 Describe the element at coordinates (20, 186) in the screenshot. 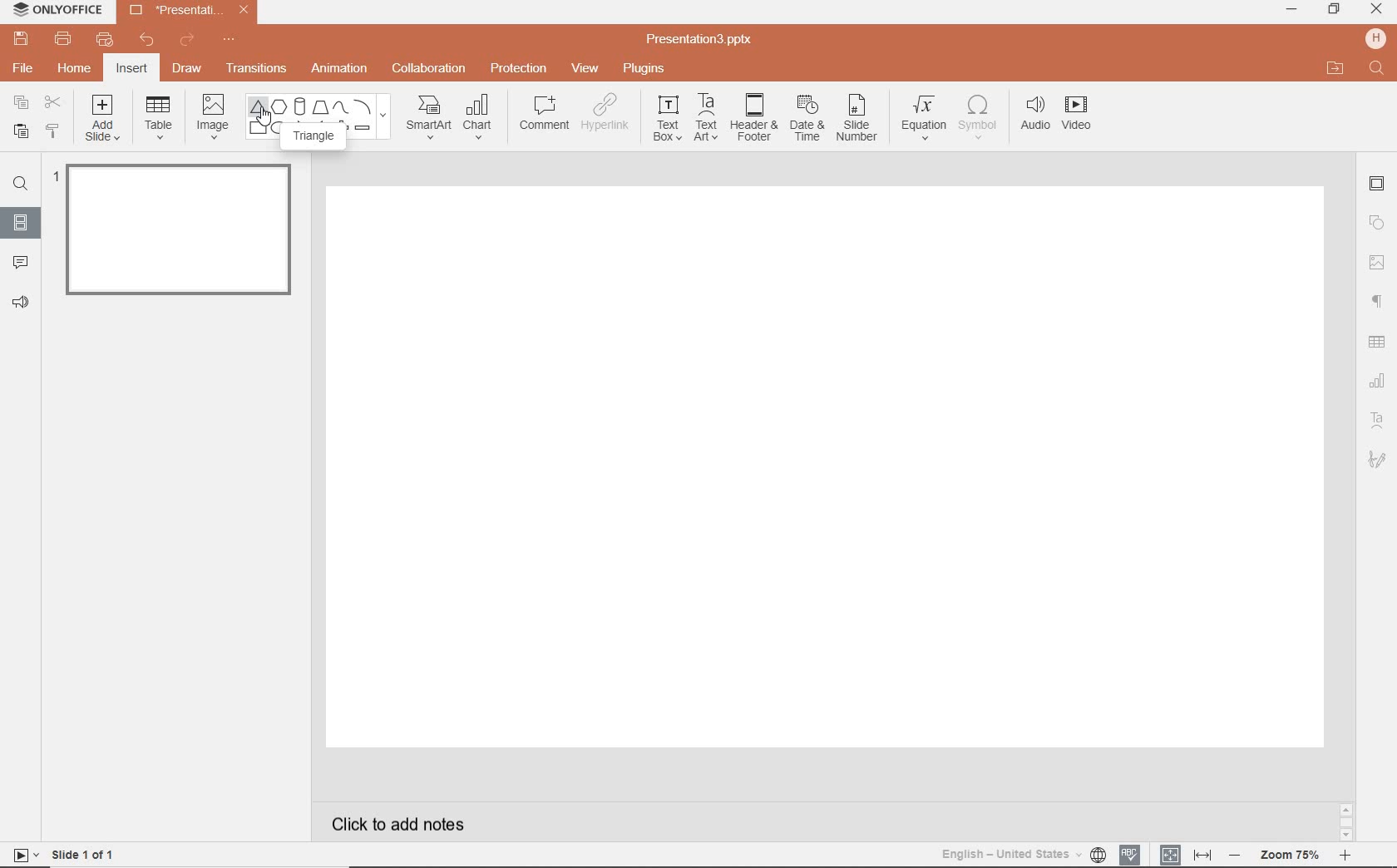

I see `FIND` at that location.